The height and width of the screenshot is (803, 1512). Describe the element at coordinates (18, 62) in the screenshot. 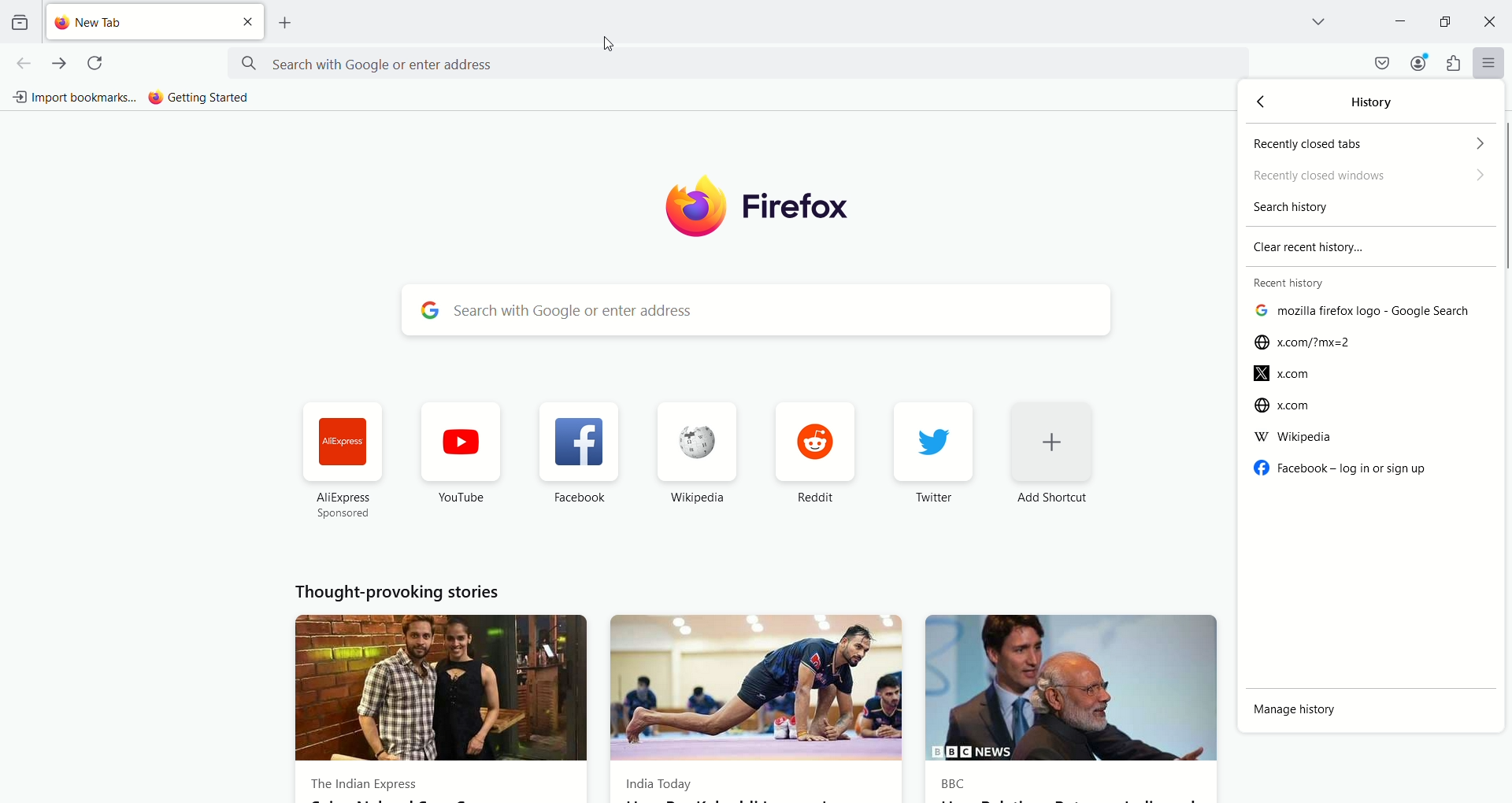

I see `go back one page` at that location.